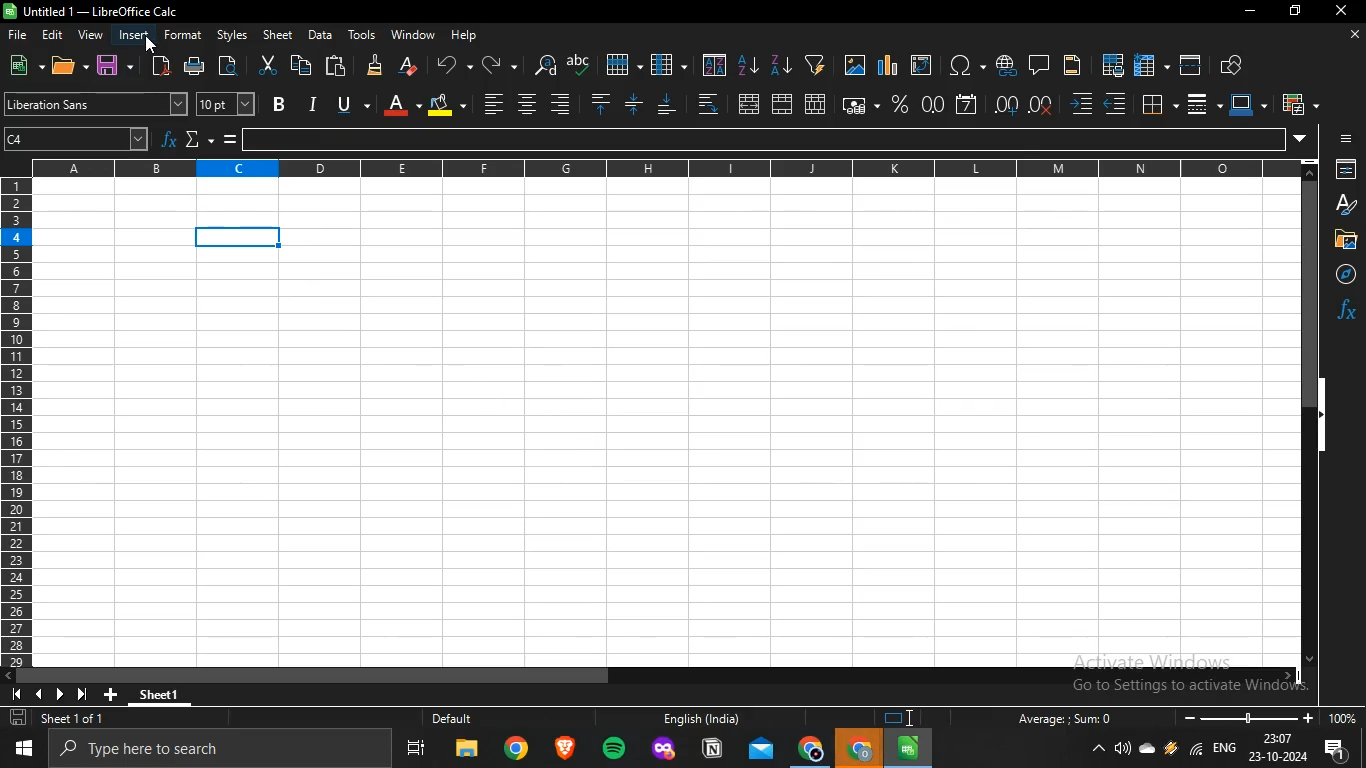 Image resolution: width=1366 pixels, height=768 pixels. What do you see at coordinates (783, 105) in the screenshot?
I see `merge cells` at bounding box center [783, 105].